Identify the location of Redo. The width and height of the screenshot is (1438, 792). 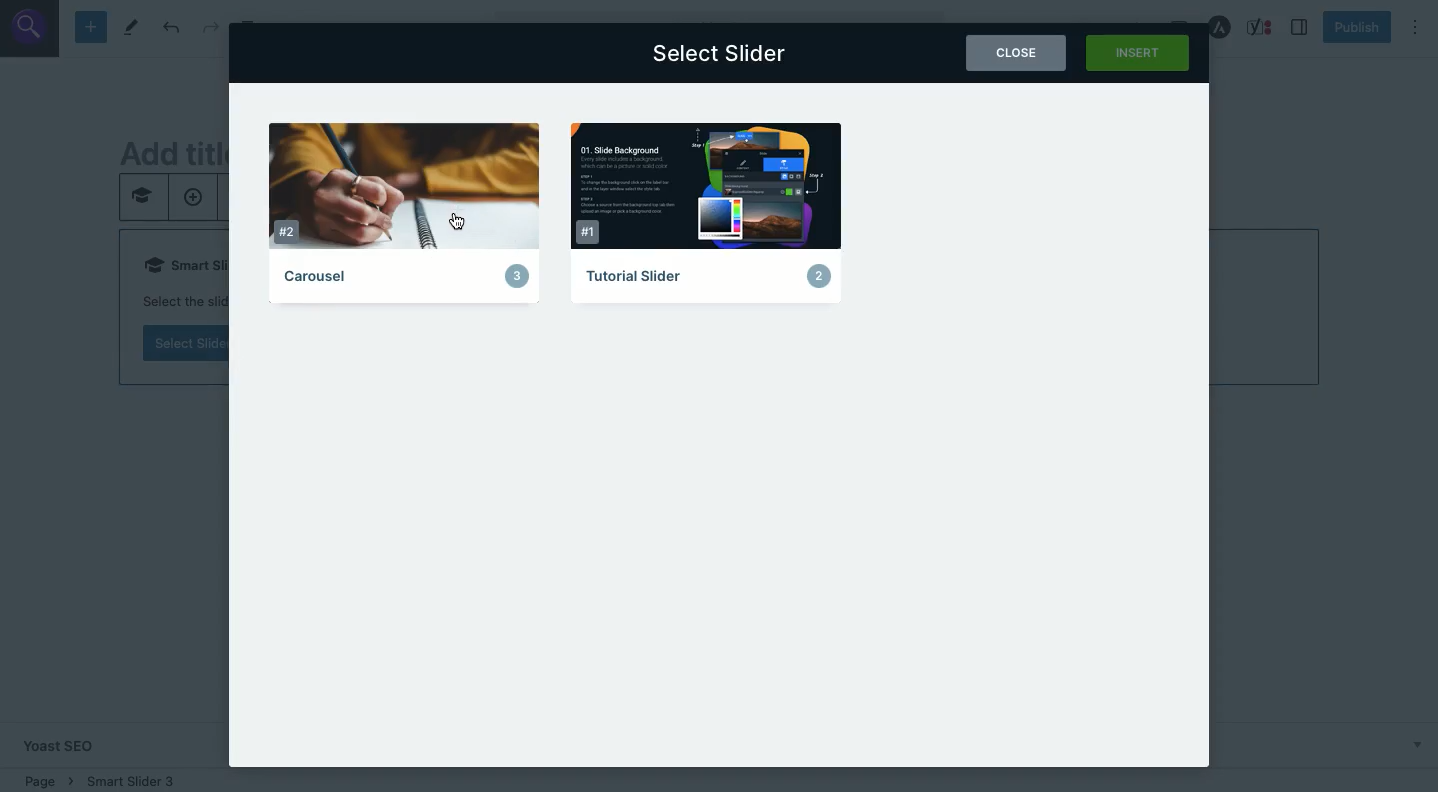
(210, 28).